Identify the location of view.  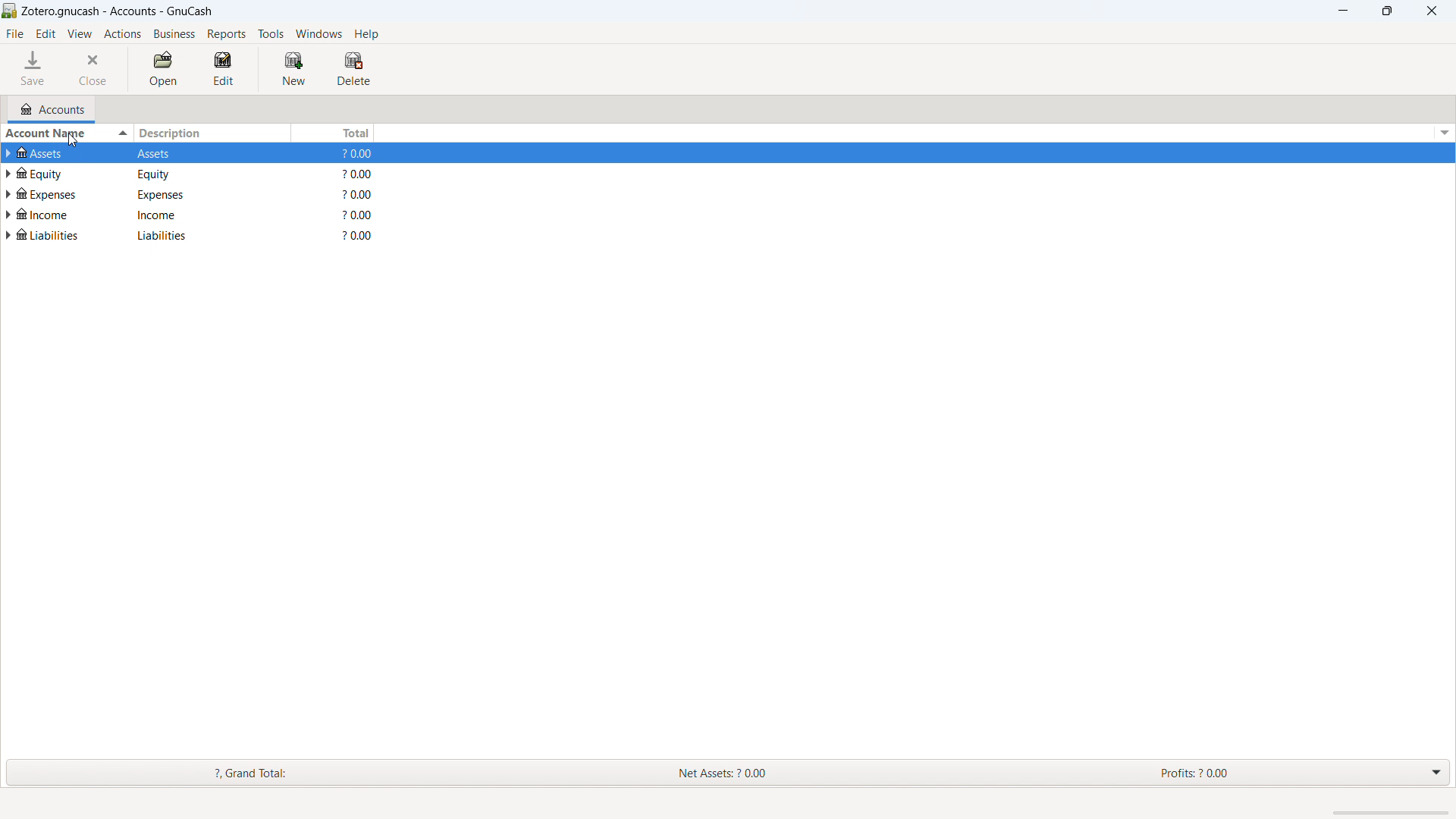
(80, 33).